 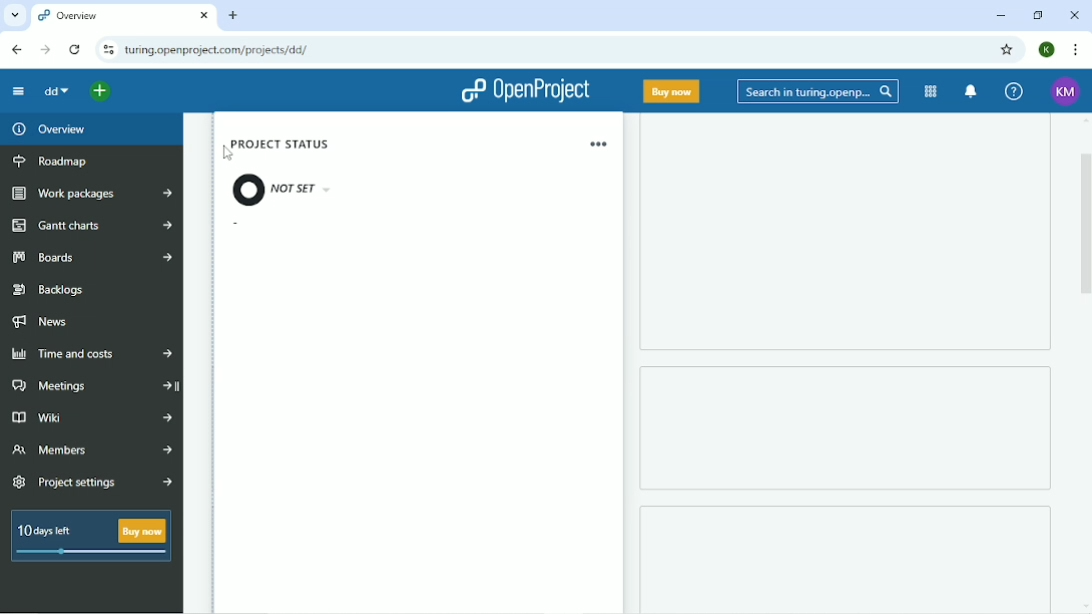 I want to click on Buy now, so click(x=672, y=91).